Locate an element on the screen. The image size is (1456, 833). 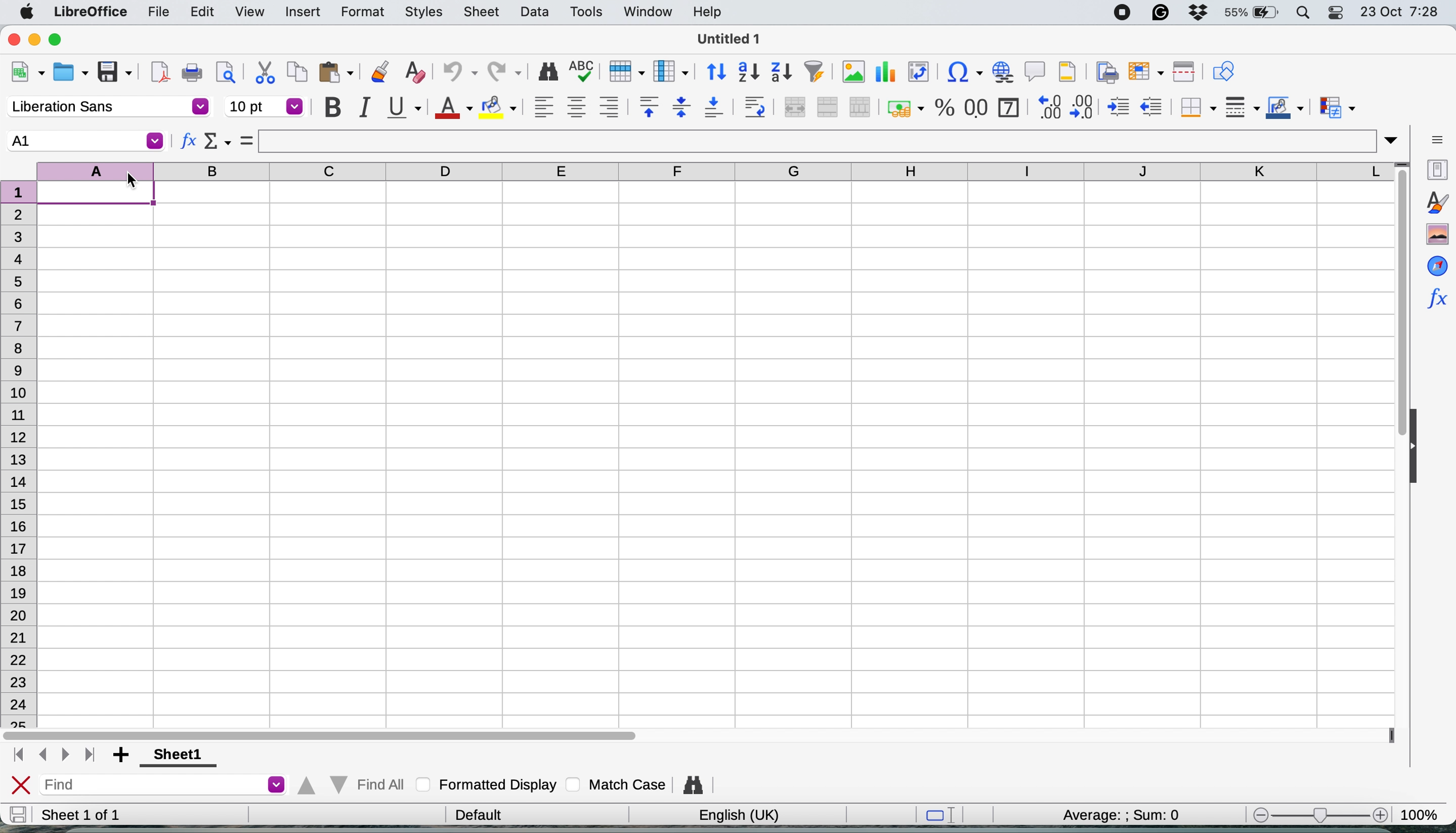
format as currency is located at coordinates (904, 106).